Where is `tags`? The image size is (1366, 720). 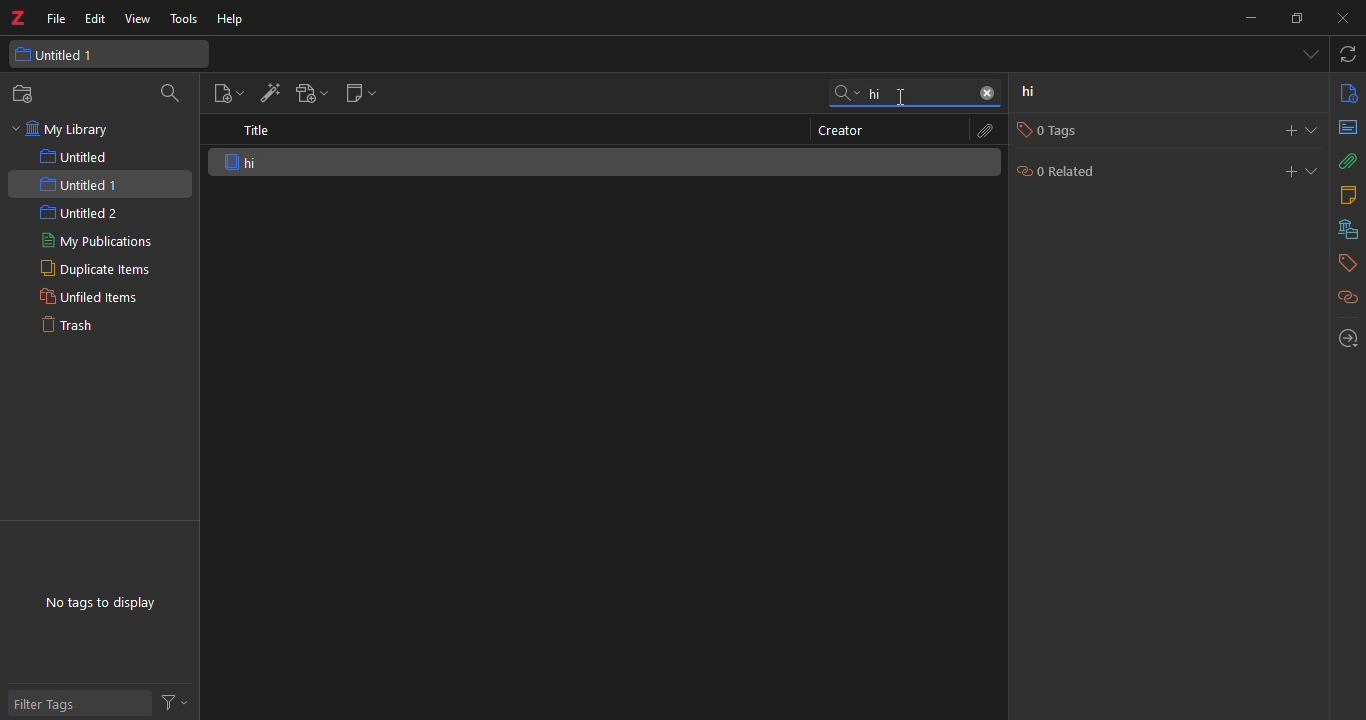 tags is located at coordinates (1345, 265).